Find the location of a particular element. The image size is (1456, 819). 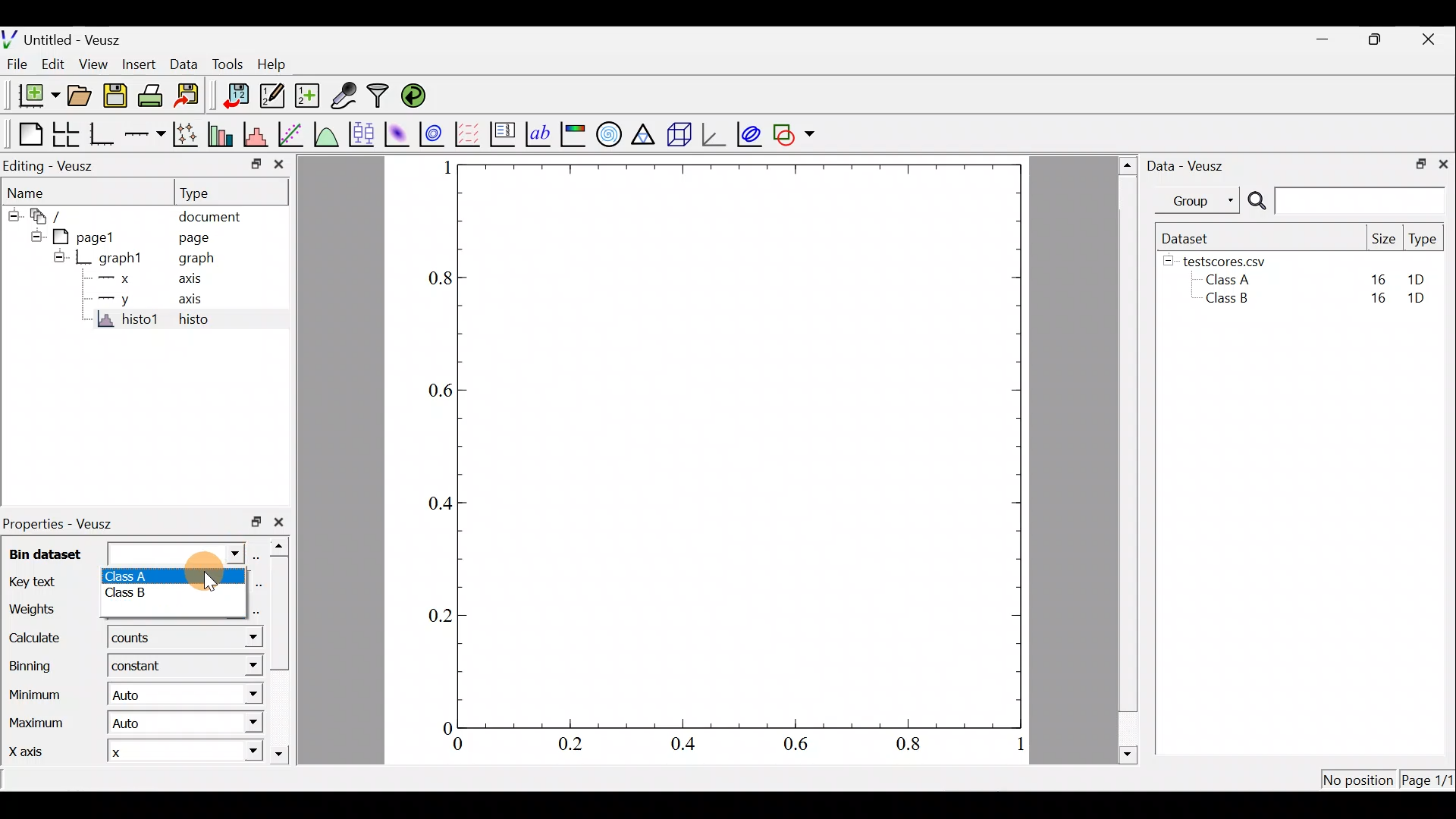

Export to graphics format is located at coordinates (190, 96).